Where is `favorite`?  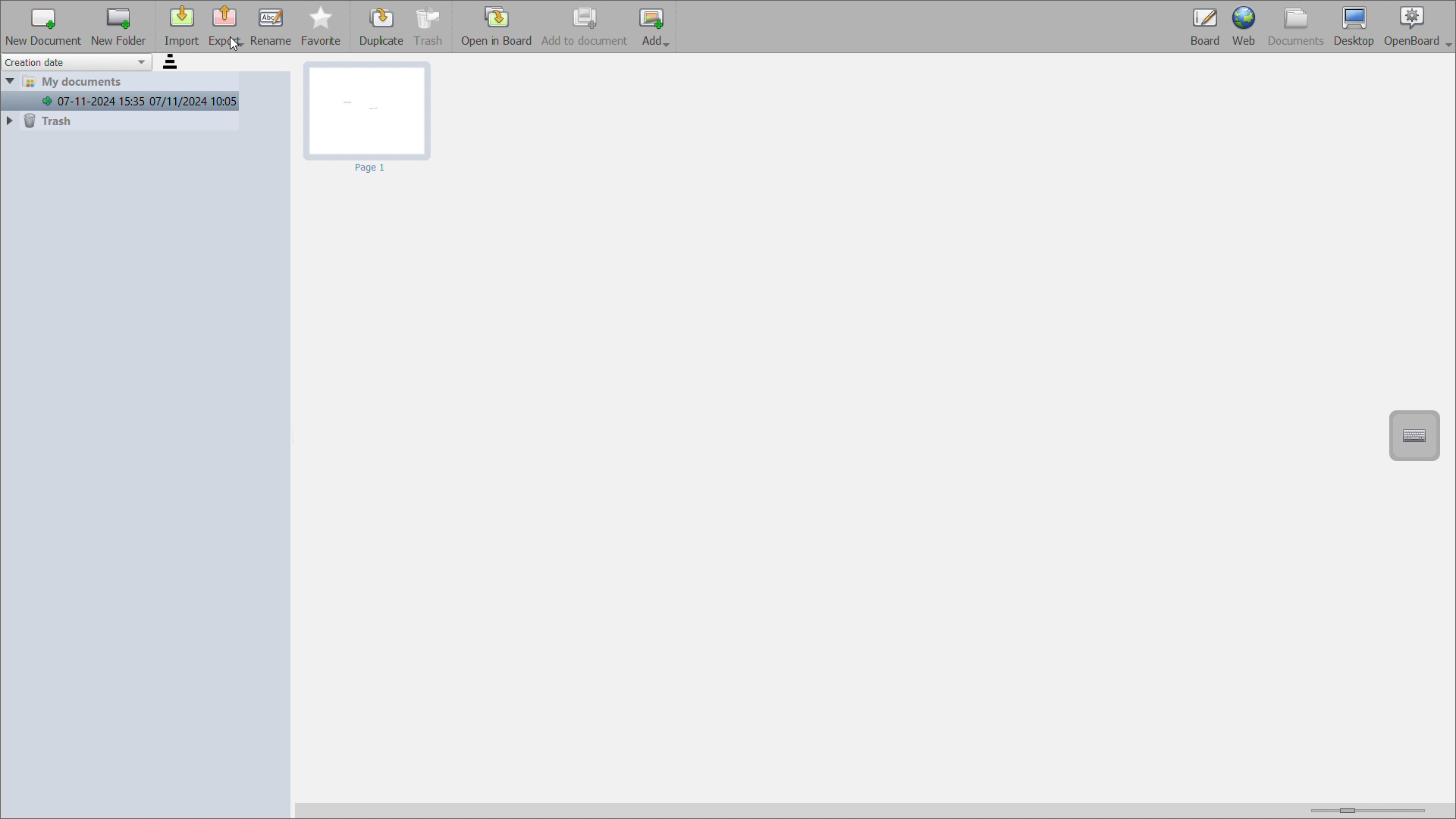
favorite is located at coordinates (322, 27).